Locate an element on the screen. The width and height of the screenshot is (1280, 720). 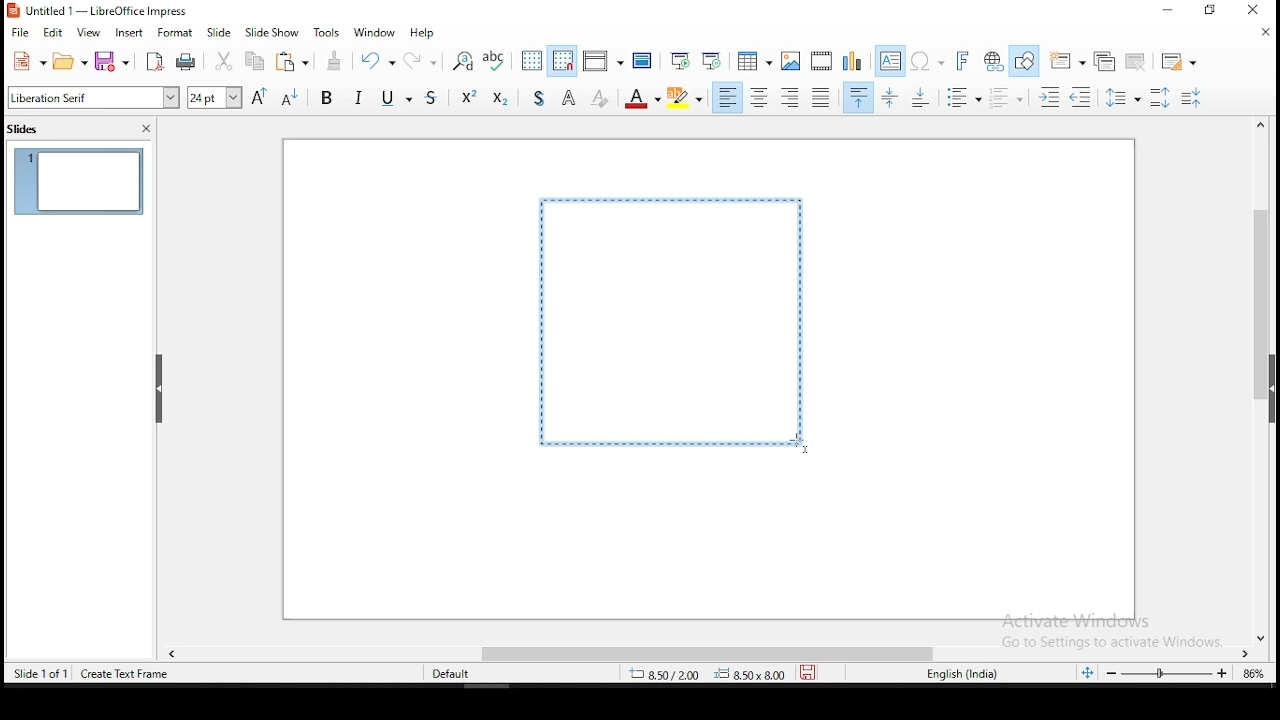
redo is located at coordinates (423, 59).